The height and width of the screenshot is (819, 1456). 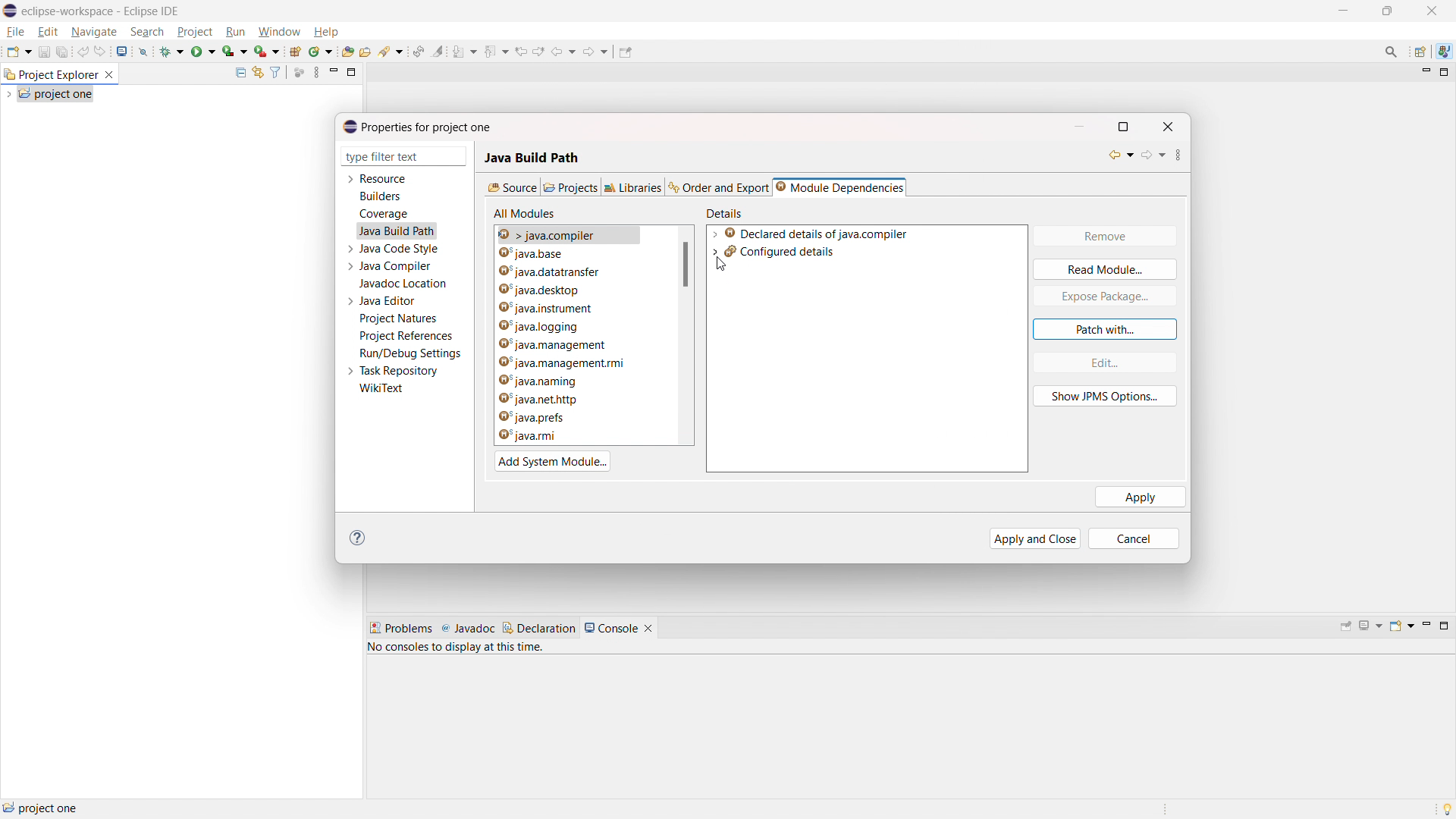 I want to click on tip of the day, so click(x=1447, y=808).